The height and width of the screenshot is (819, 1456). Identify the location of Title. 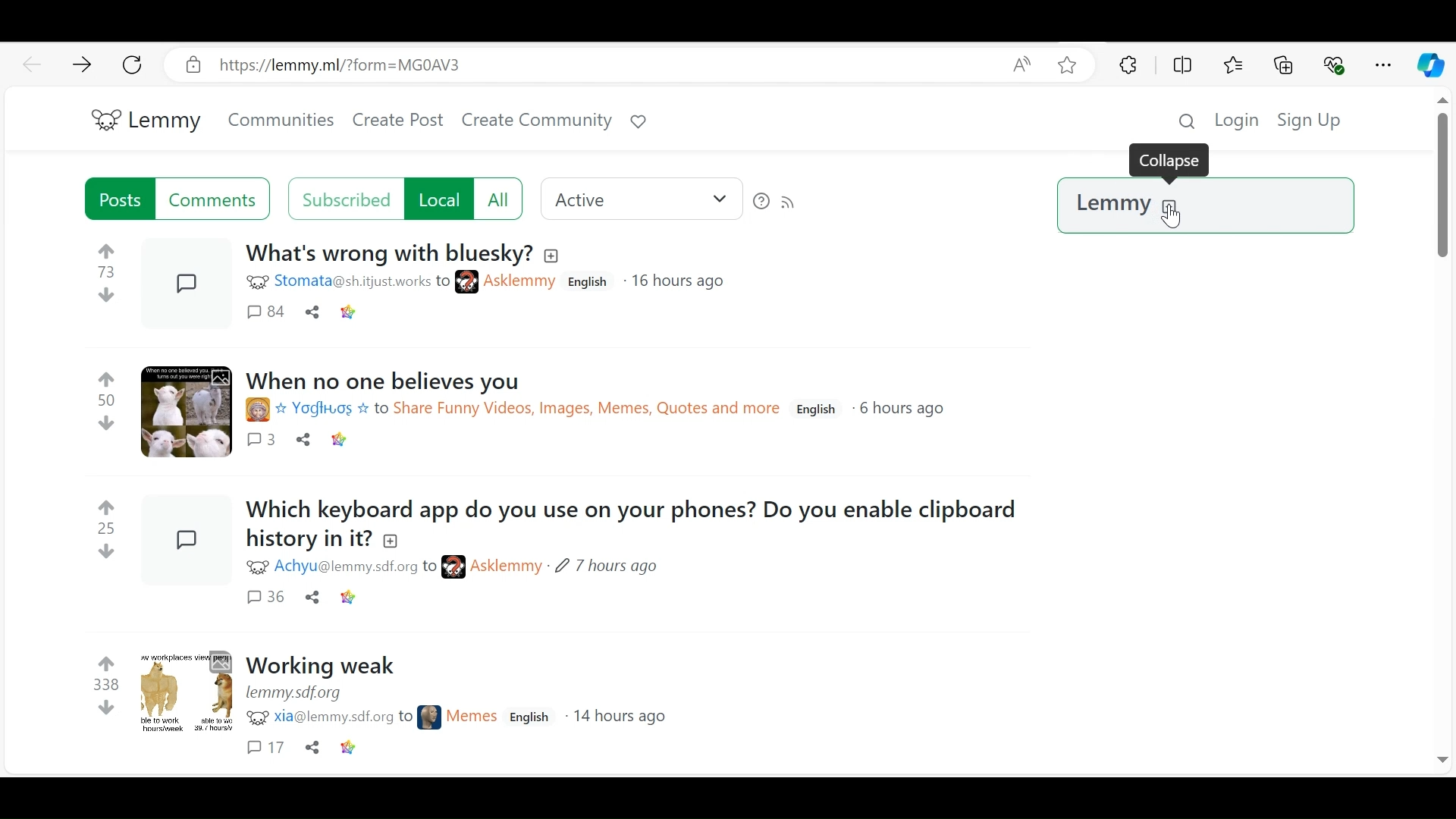
(391, 254).